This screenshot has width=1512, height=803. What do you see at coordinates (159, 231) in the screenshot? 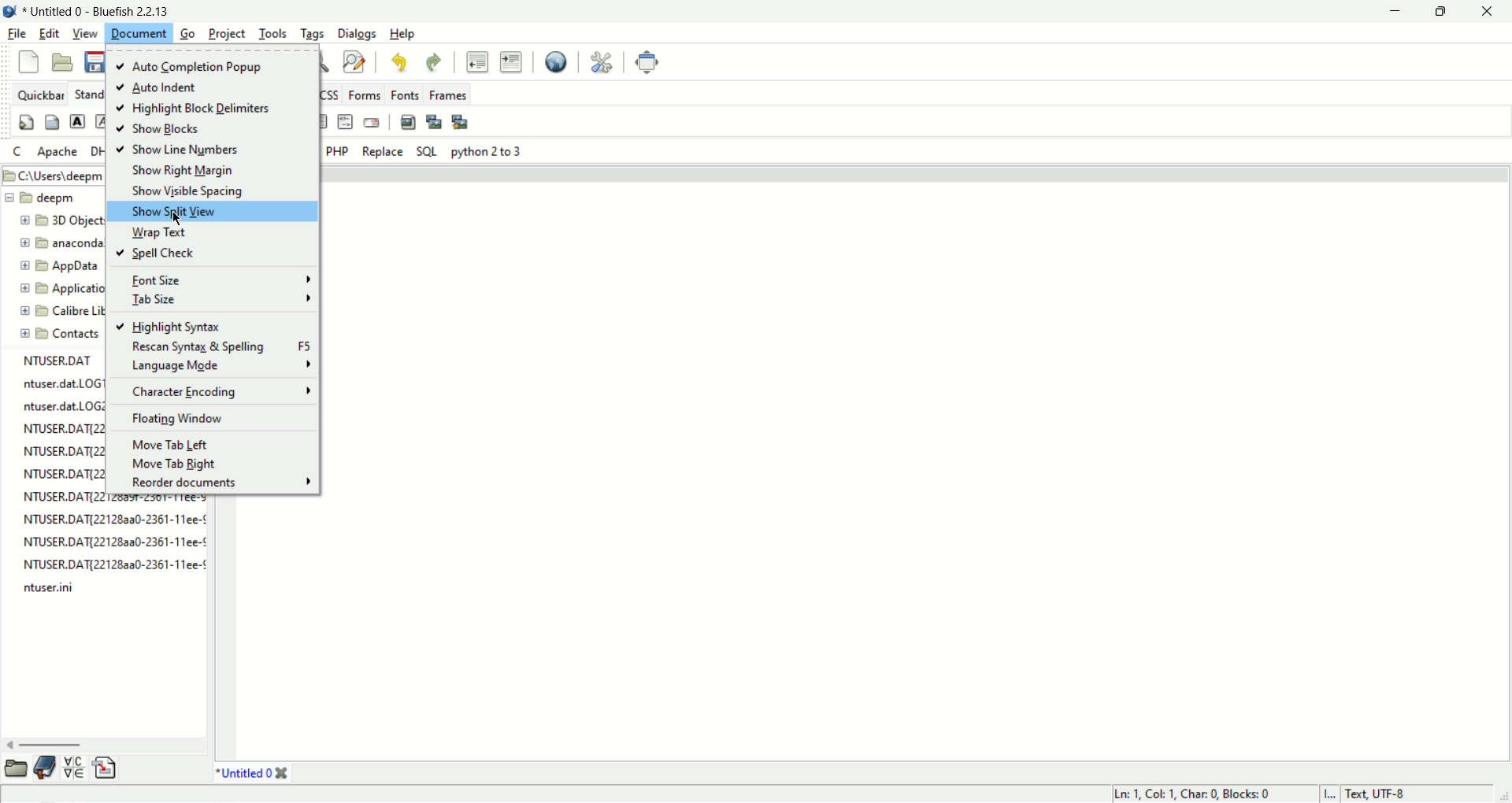
I see `wrap text` at bounding box center [159, 231].